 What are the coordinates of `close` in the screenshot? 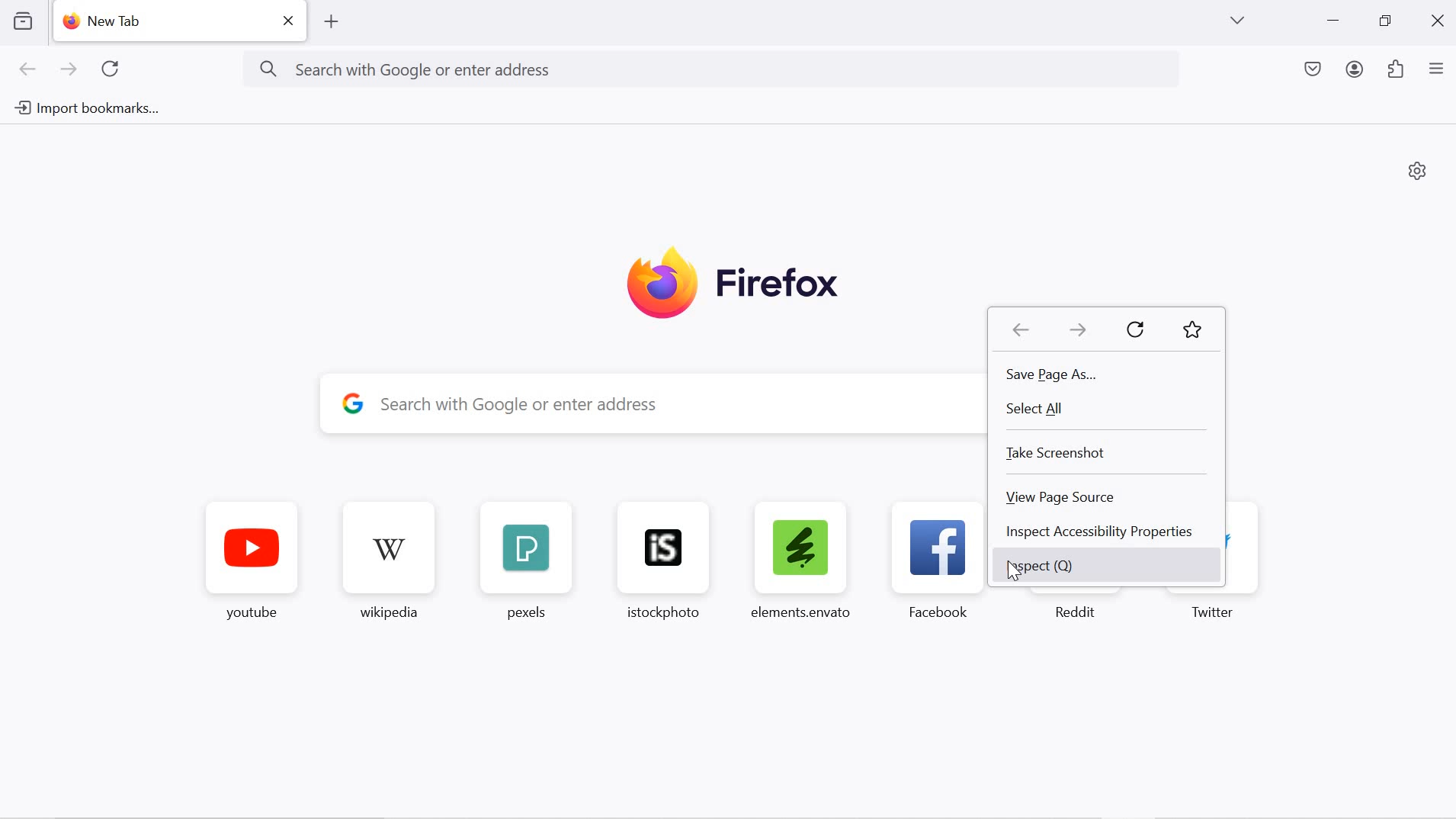 It's located at (1436, 21).